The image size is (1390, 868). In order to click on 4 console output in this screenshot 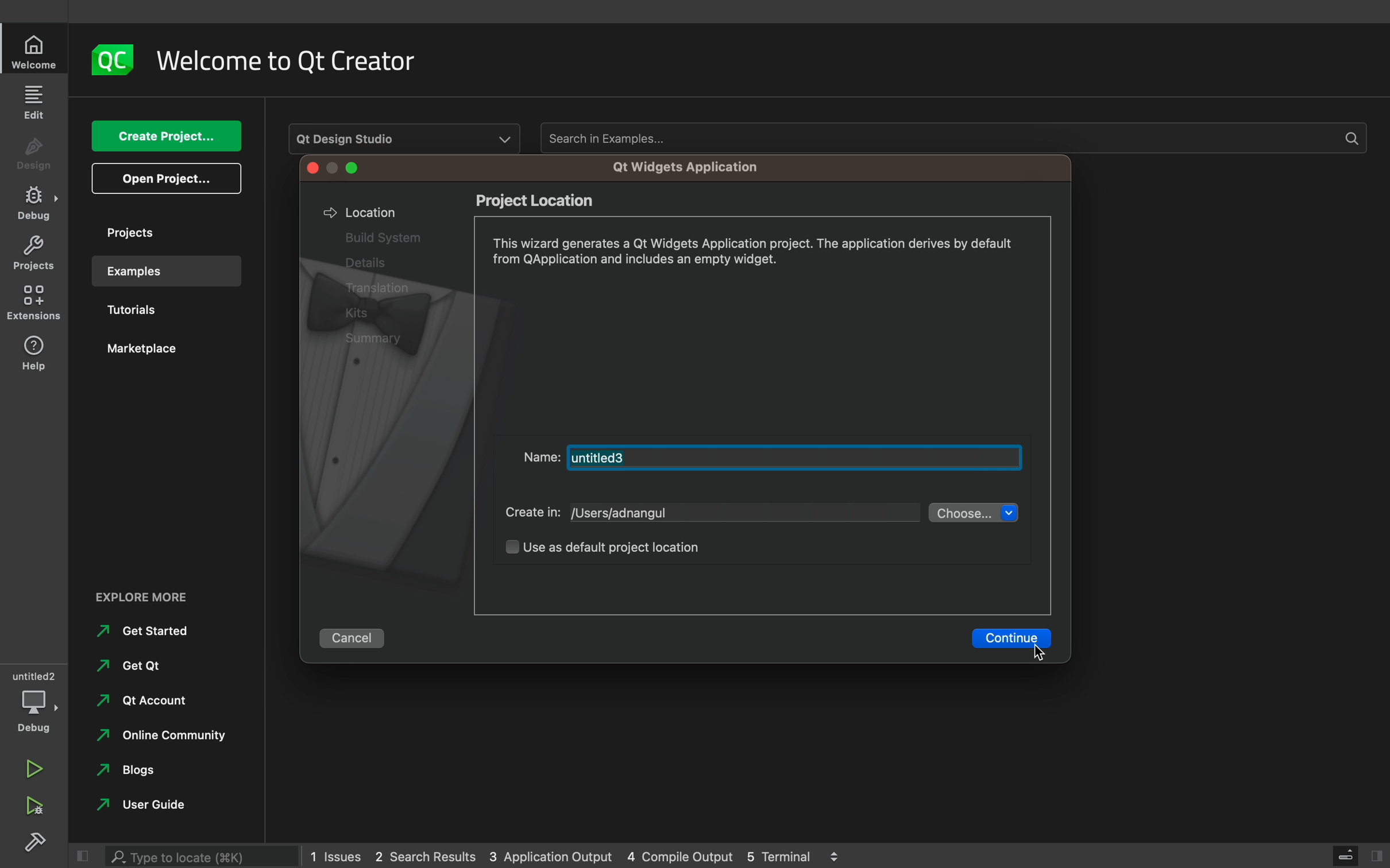, I will do `click(682, 857)`.